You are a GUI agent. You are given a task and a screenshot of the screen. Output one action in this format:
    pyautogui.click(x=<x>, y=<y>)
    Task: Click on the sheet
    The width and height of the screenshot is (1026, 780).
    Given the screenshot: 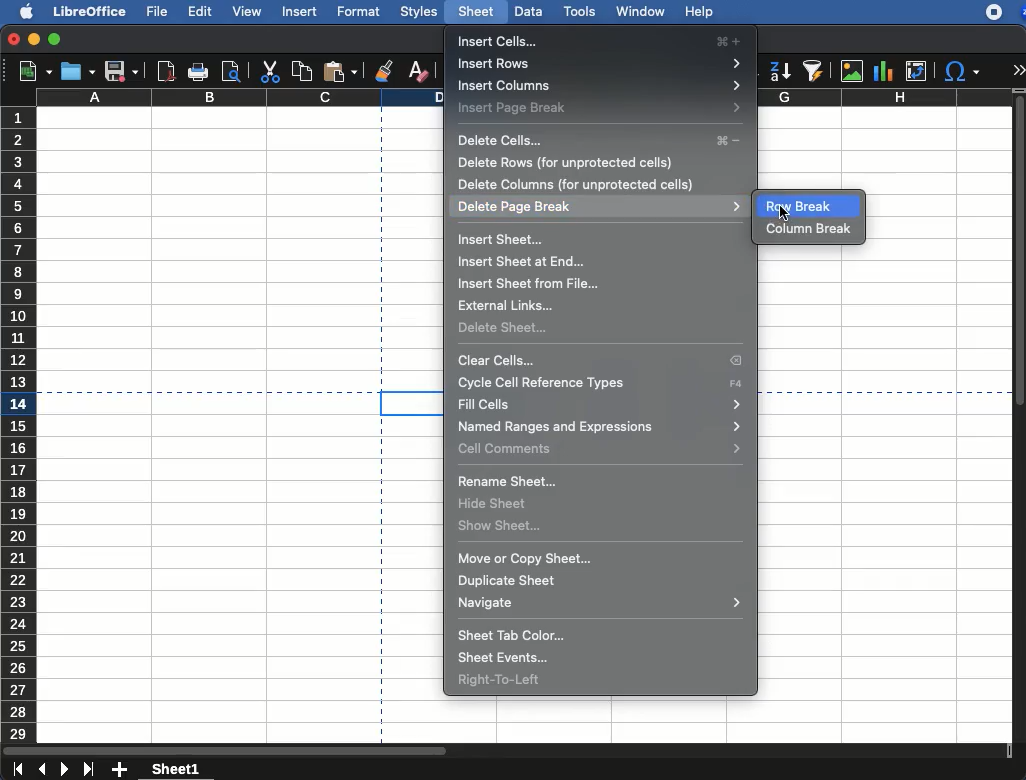 What is the action you would take?
    pyautogui.click(x=476, y=11)
    